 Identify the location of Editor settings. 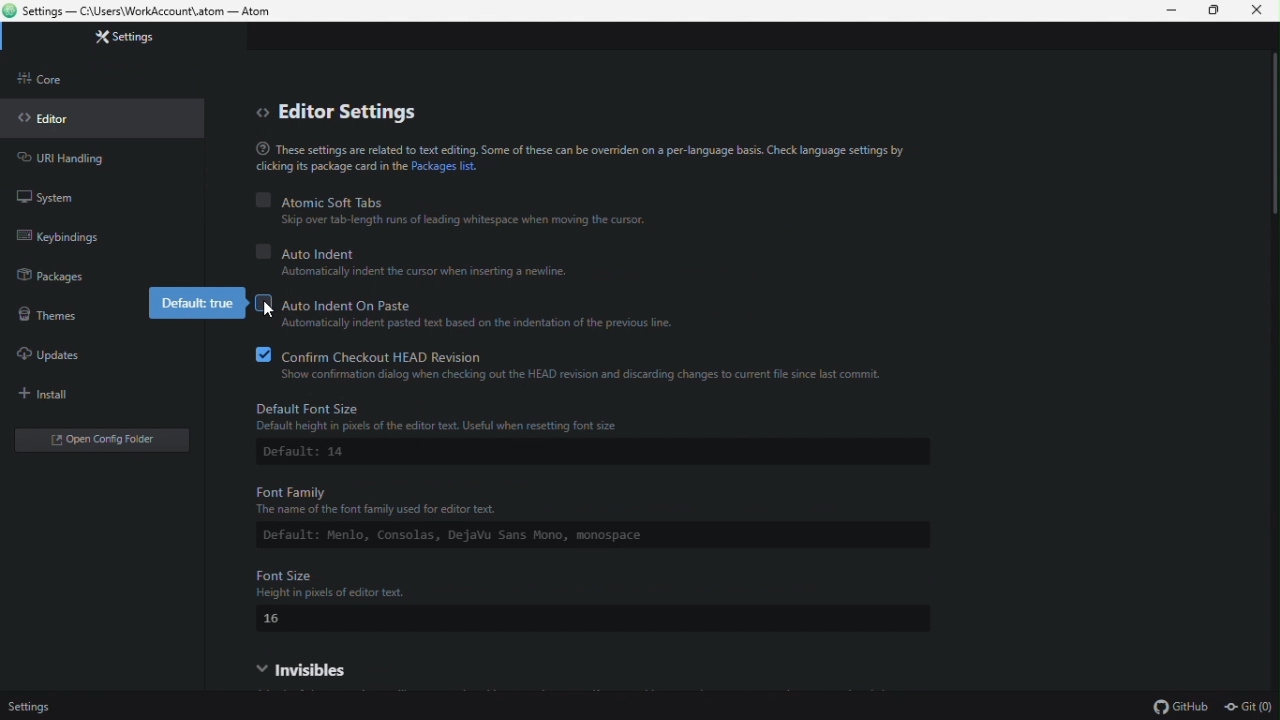
(333, 113).